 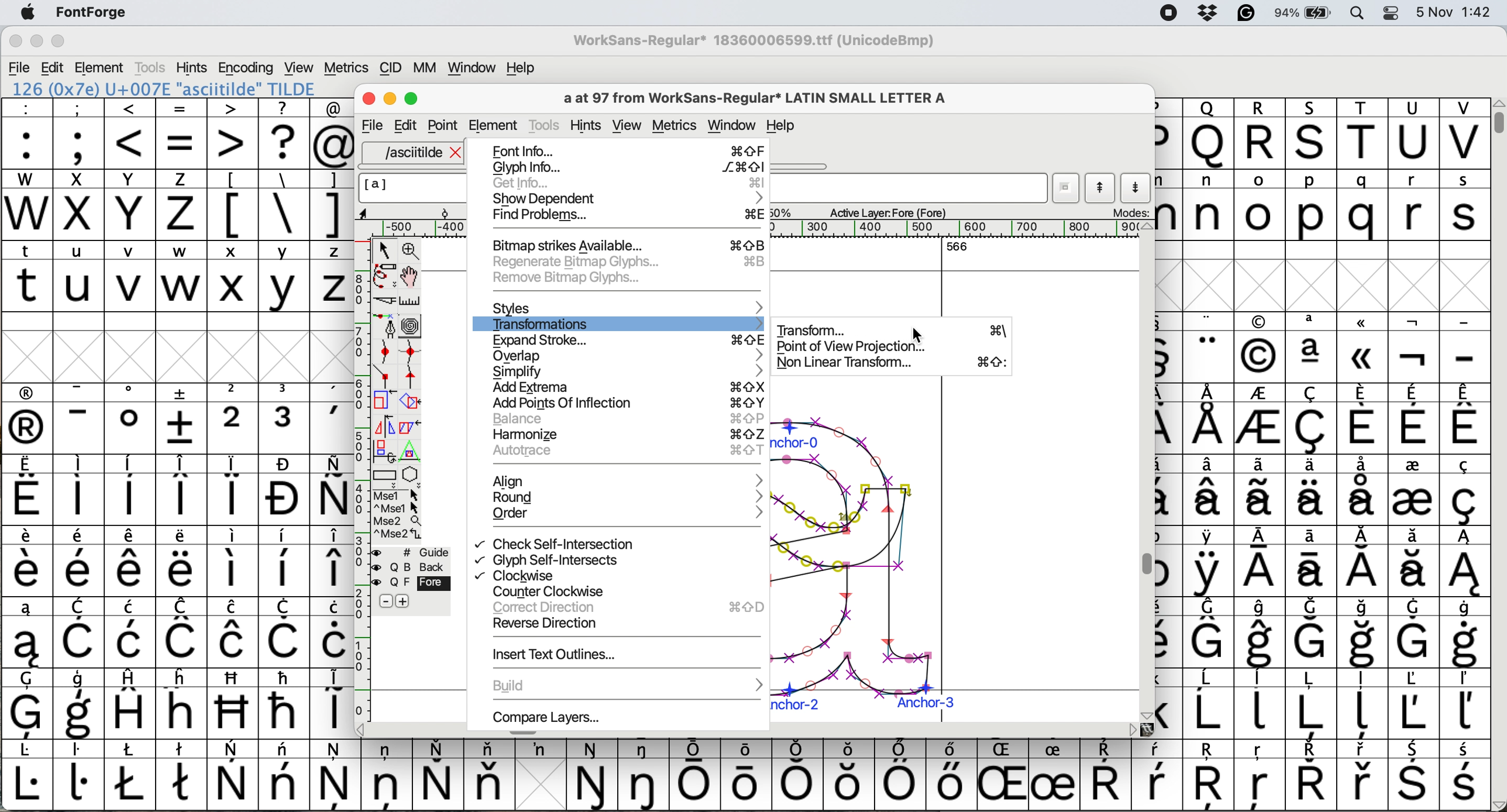 What do you see at coordinates (78, 490) in the screenshot?
I see `symbol` at bounding box center [78, 490].